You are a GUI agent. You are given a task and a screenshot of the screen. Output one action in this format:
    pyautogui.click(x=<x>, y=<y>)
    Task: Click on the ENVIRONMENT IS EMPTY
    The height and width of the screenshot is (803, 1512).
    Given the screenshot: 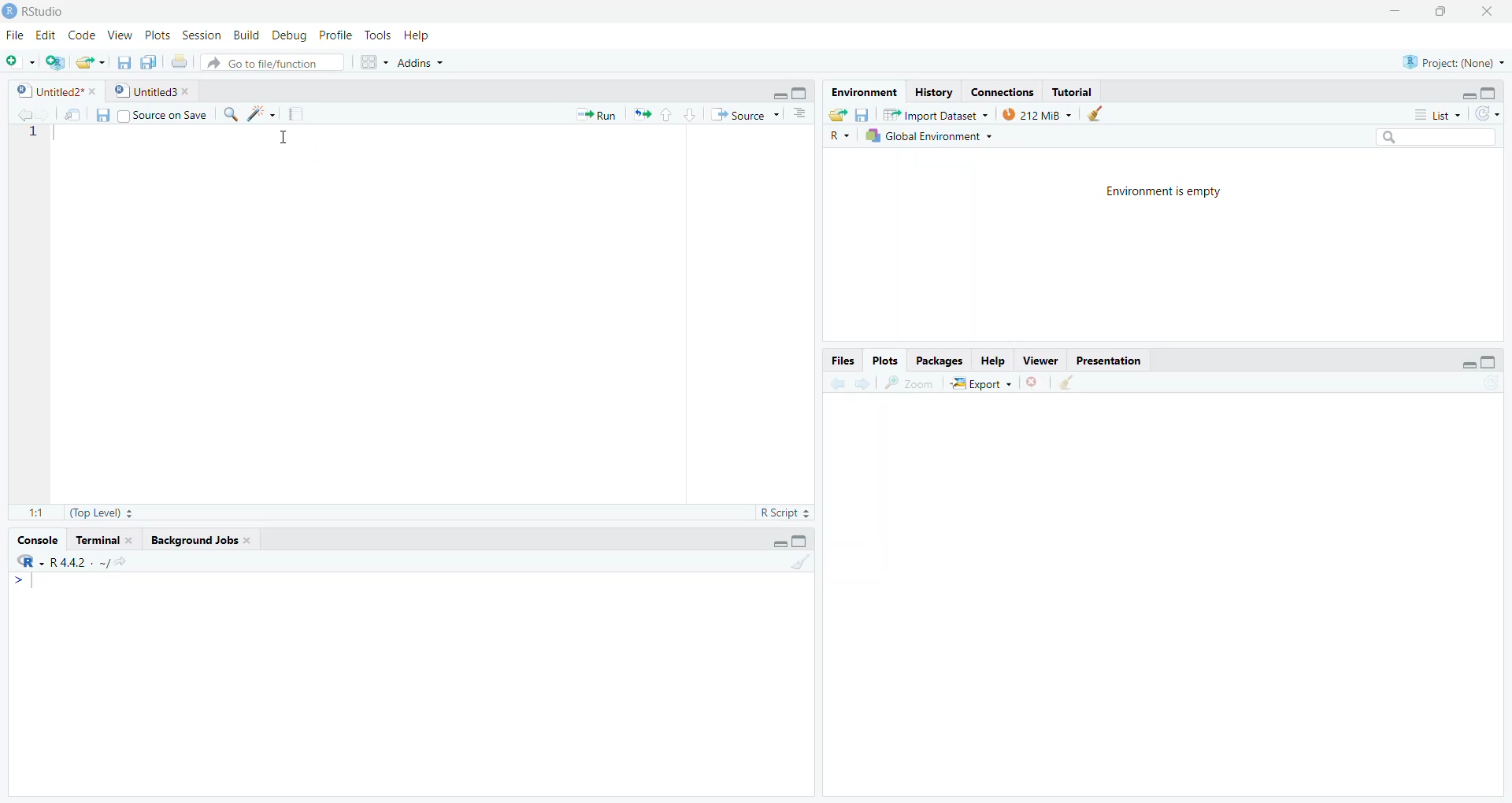 What is the action you would take?
    pyautogui.click(x=1188, y=198)
    